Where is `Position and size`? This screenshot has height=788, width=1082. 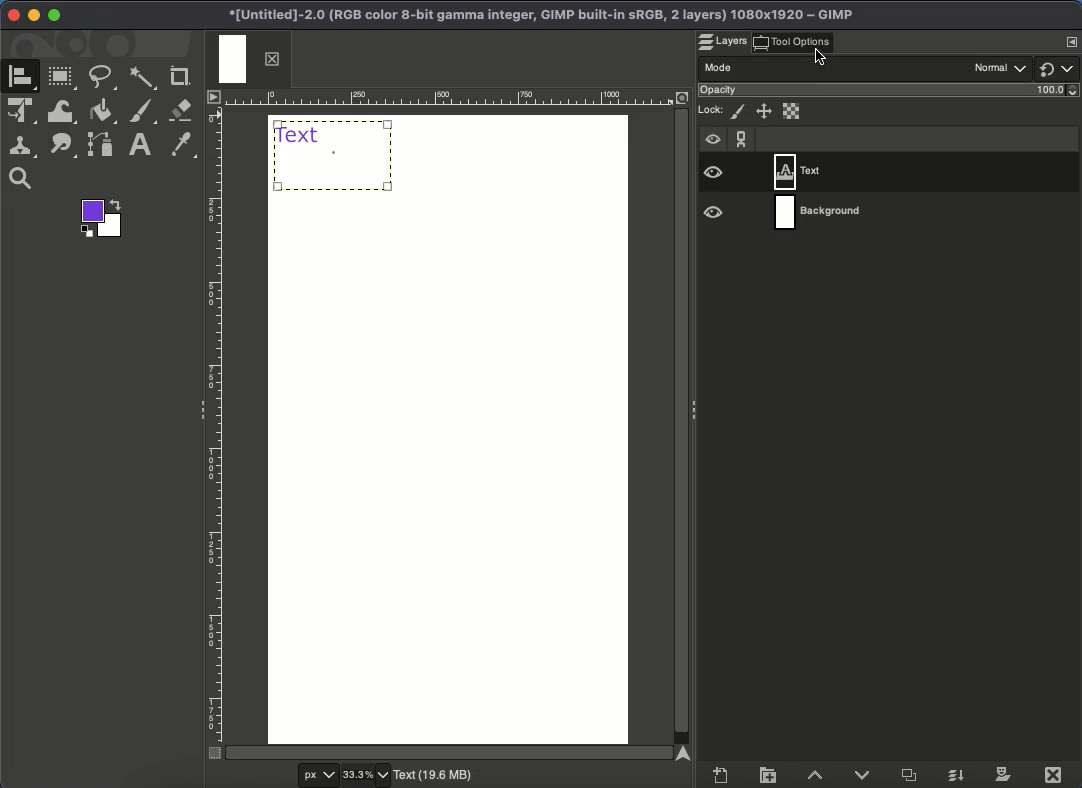
Position and size is located at coordinates (762, 111).